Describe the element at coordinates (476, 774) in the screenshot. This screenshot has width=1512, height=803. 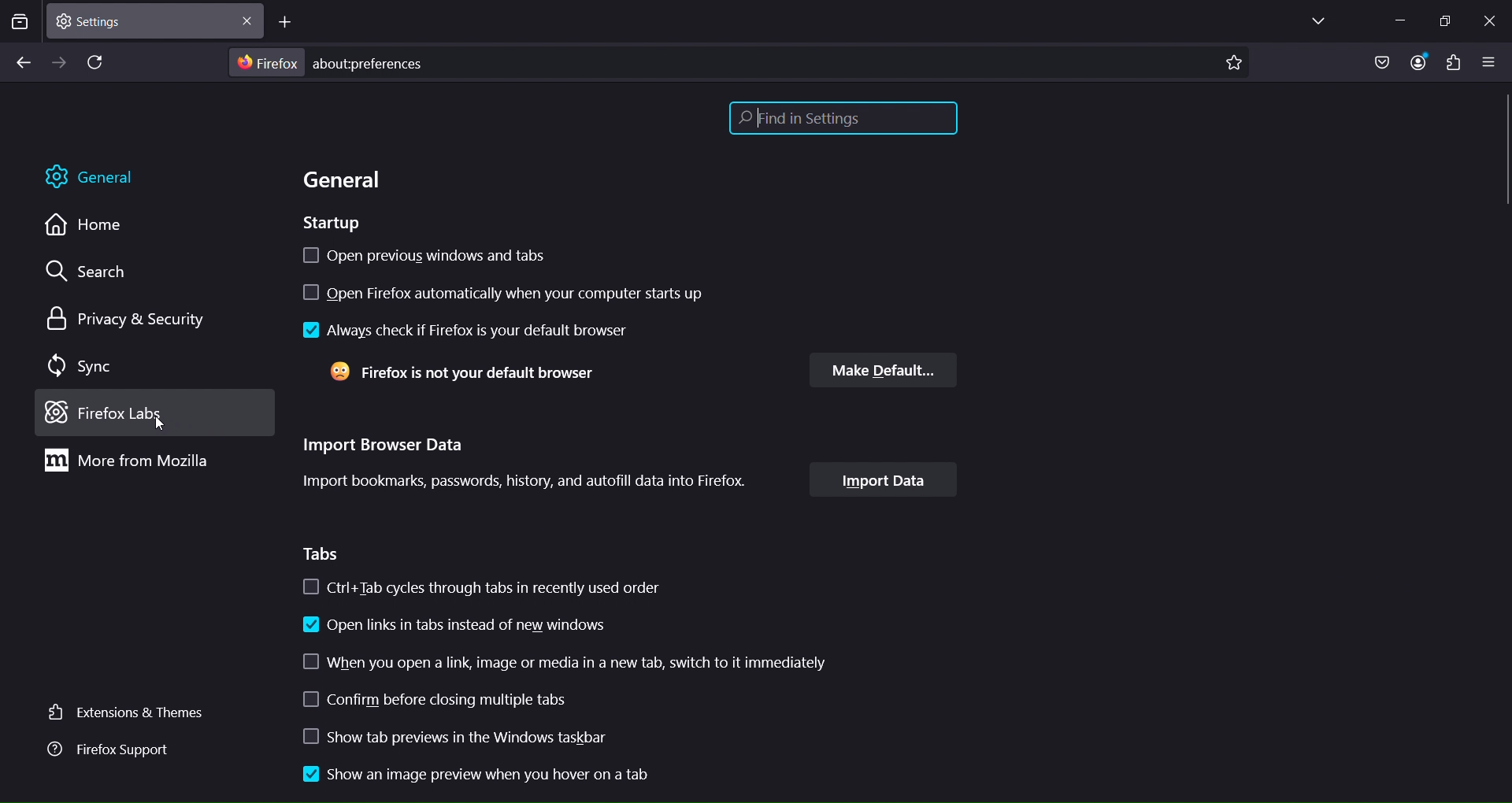
I see `show an image preview when u hover on the tab` at that location.